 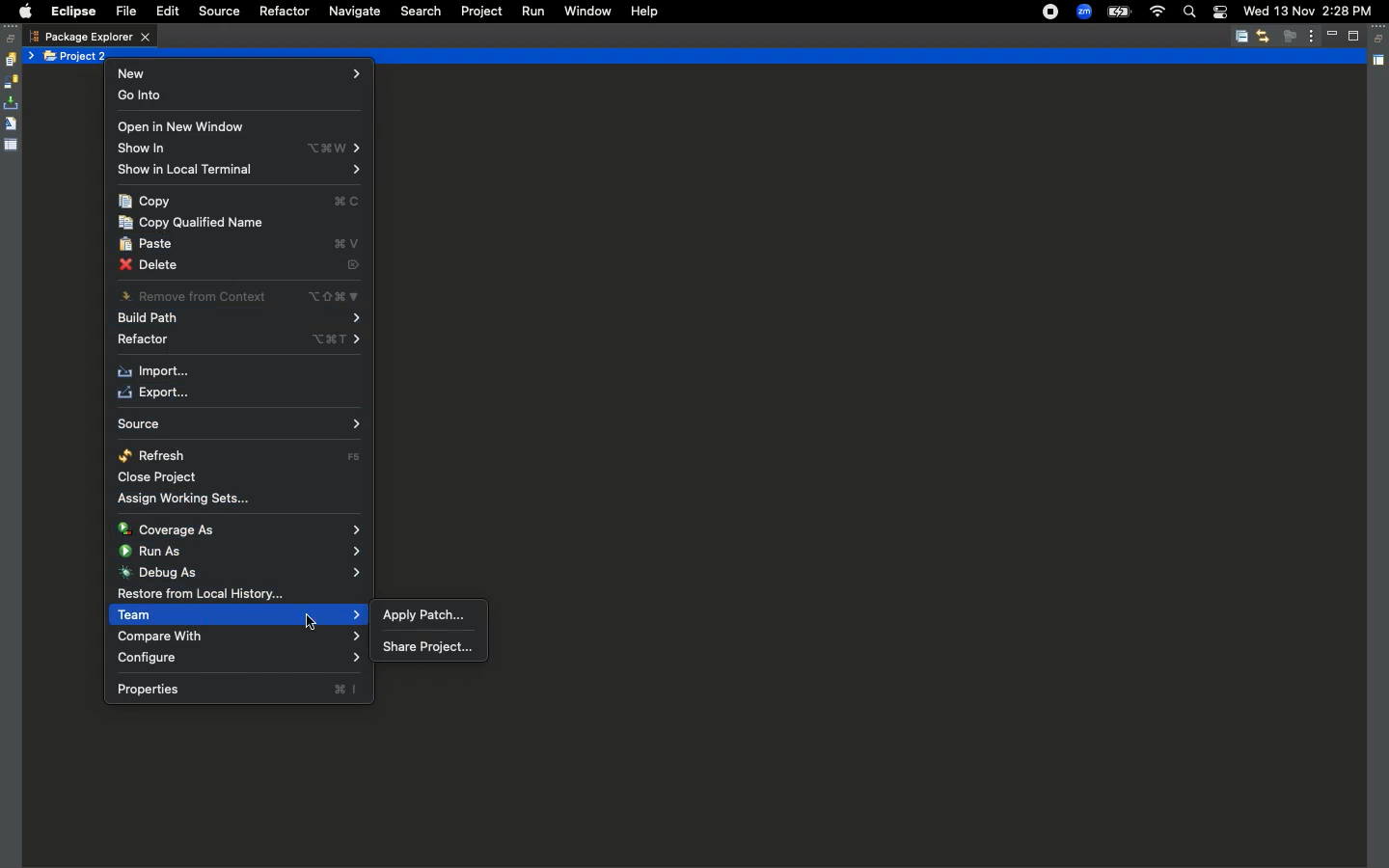 What do you see at coordinates (72, 12) in the screenshot?
I see `Eclipse` at bounding box center [72, 12].